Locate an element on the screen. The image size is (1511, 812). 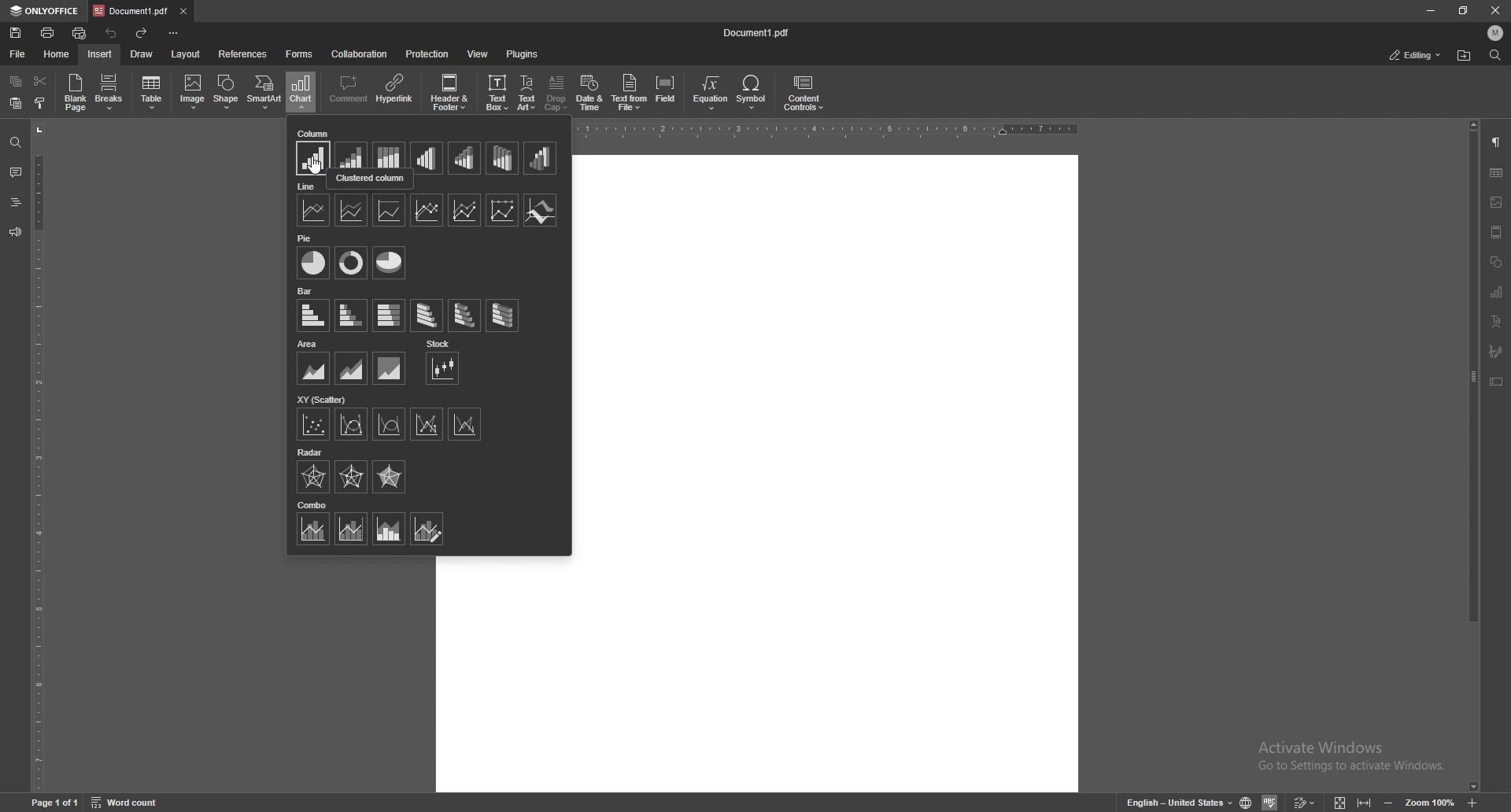
doughnut is located at coordinates (352, 262).